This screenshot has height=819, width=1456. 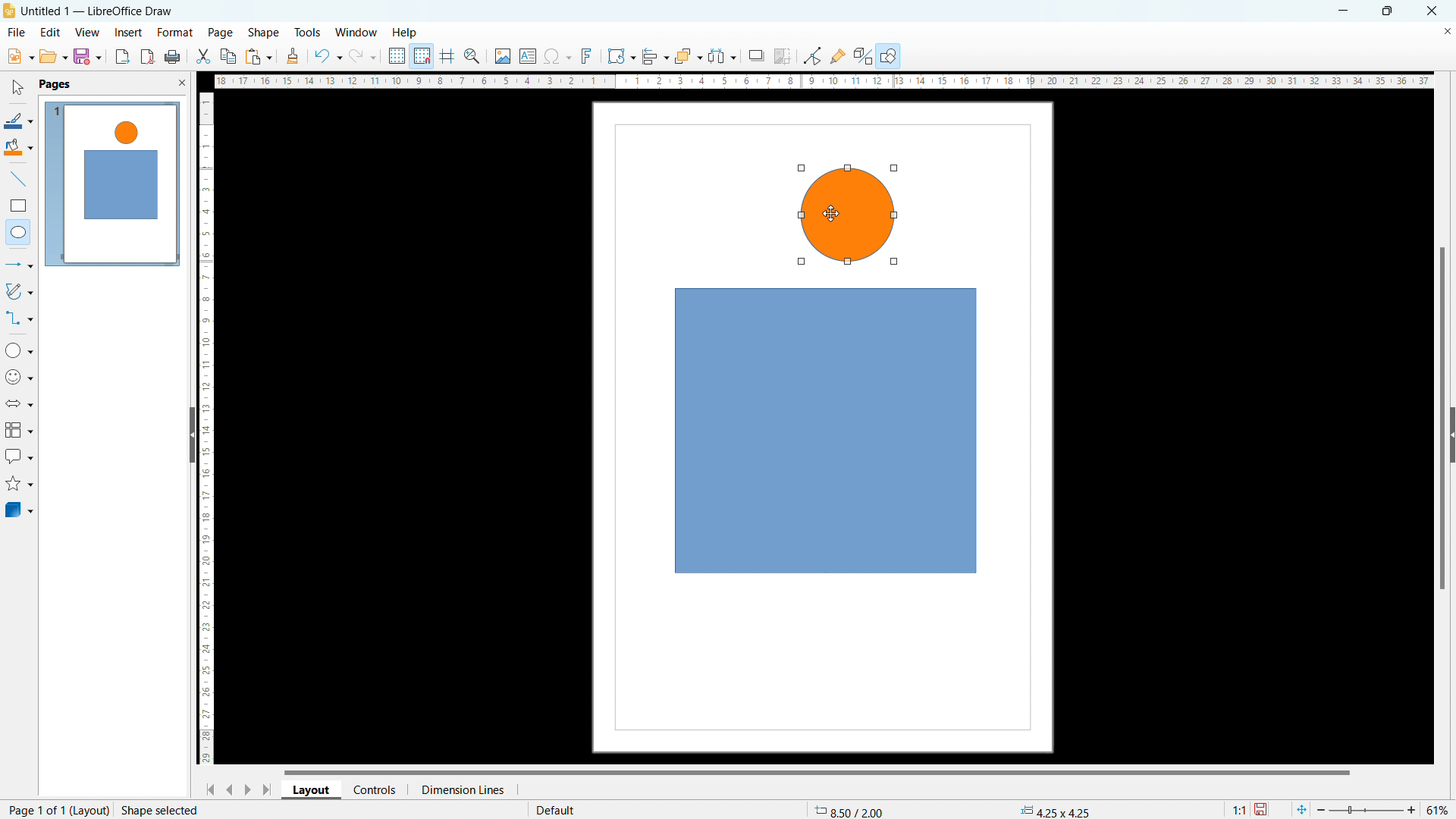 What do you see at coordinates (53, 56) in the screenshot?
I see `open` at bounding box center [53, 56].